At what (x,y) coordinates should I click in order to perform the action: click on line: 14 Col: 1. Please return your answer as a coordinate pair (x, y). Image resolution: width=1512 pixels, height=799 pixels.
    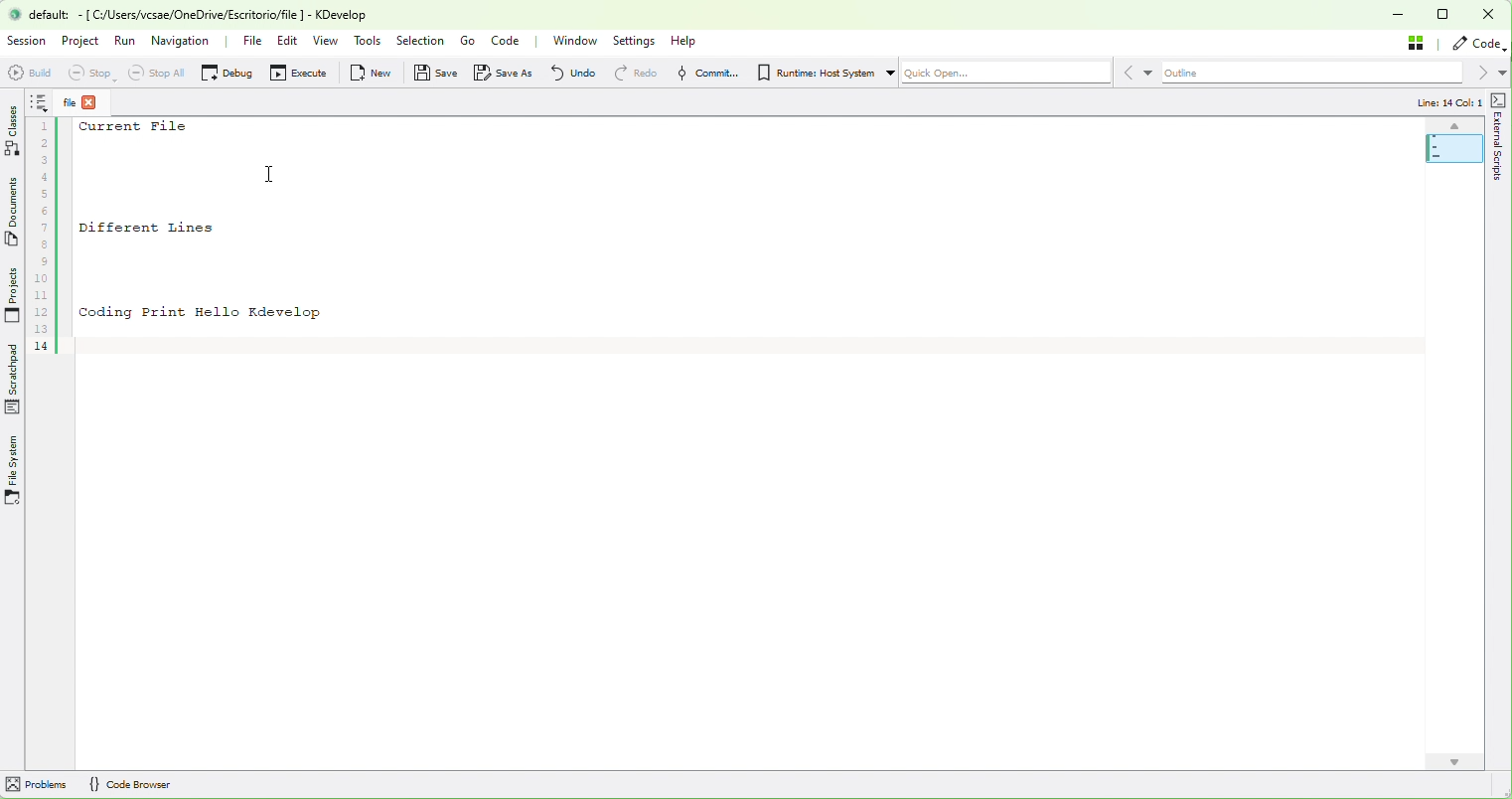
    Looking at the image, I should click on (1446, 101).